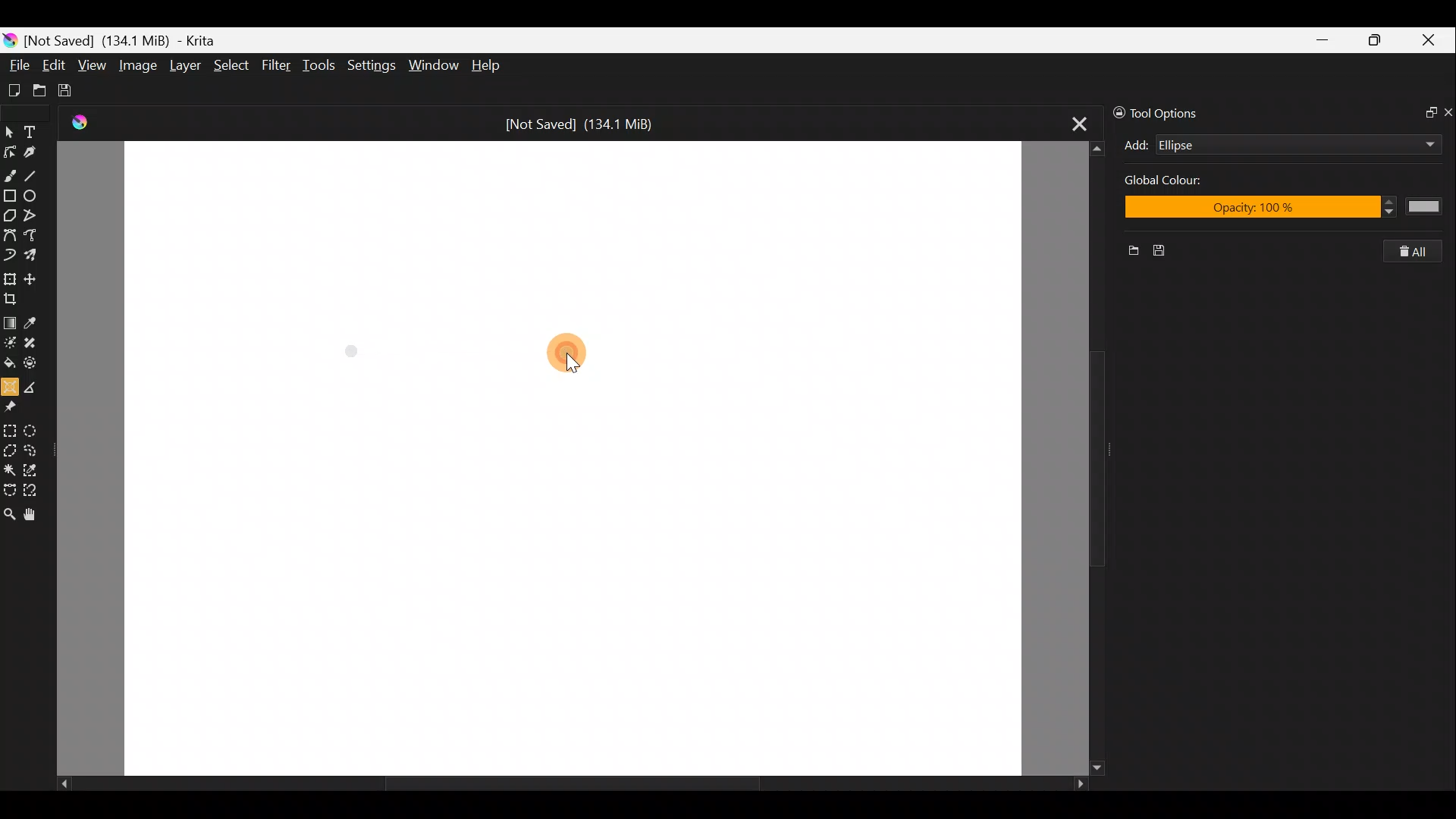  I want to click on Zoom tool, so click(9, 513).